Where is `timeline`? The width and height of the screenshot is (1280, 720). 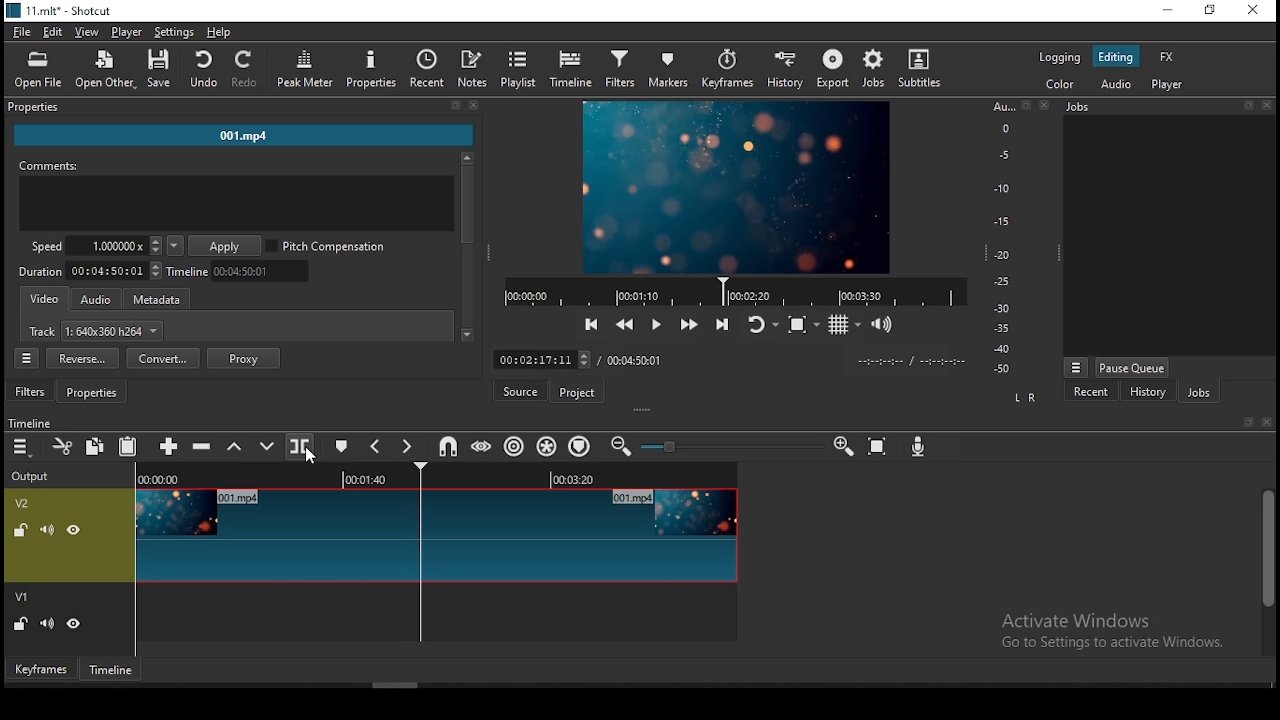 timeline is located at coordinates (242, 271).